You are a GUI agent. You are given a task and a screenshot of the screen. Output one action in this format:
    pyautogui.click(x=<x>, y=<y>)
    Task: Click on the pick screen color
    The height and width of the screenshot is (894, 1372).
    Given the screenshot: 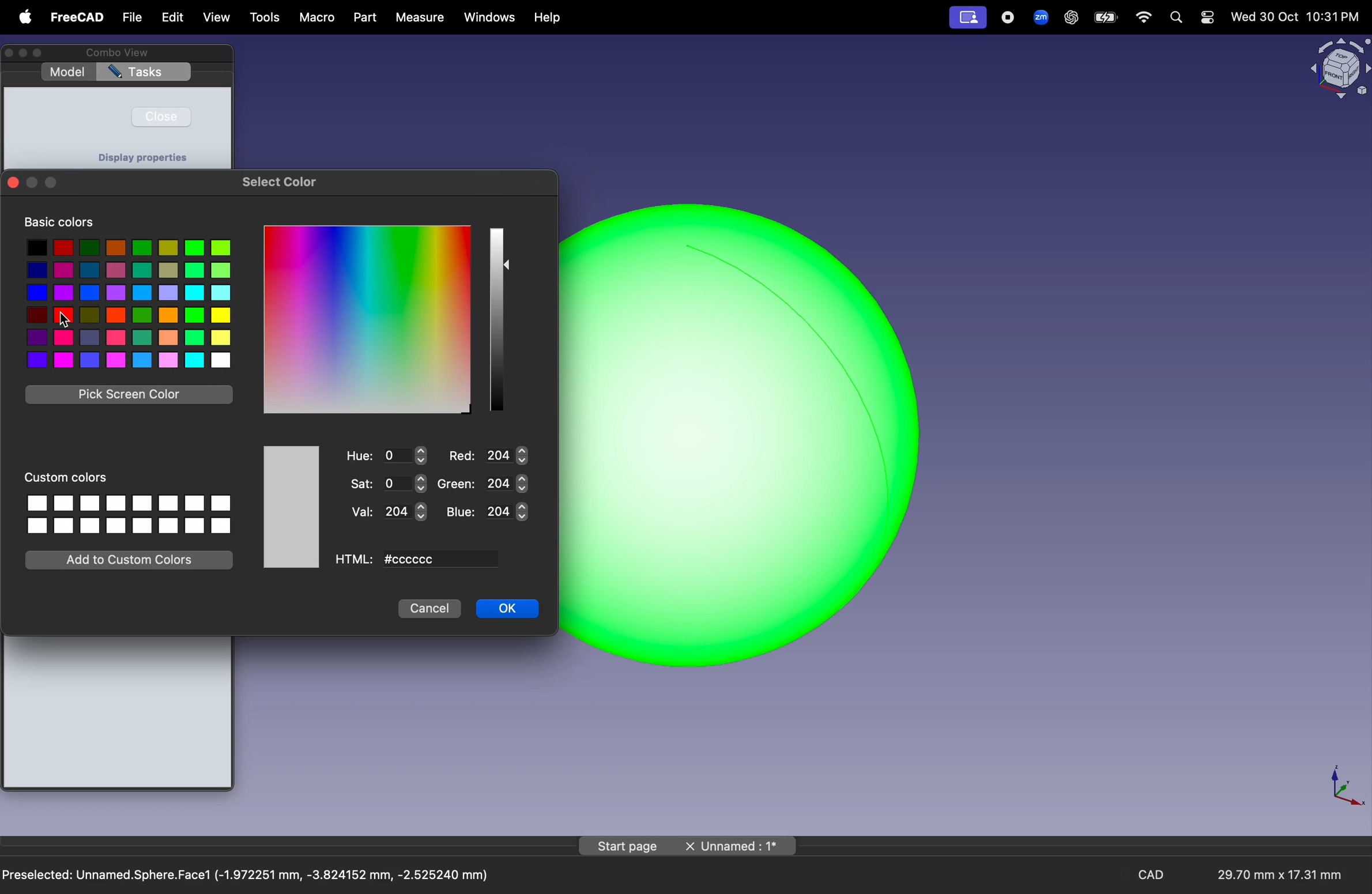 What is the action you would take?
    pyautogui.click(x=131, y=395)
    